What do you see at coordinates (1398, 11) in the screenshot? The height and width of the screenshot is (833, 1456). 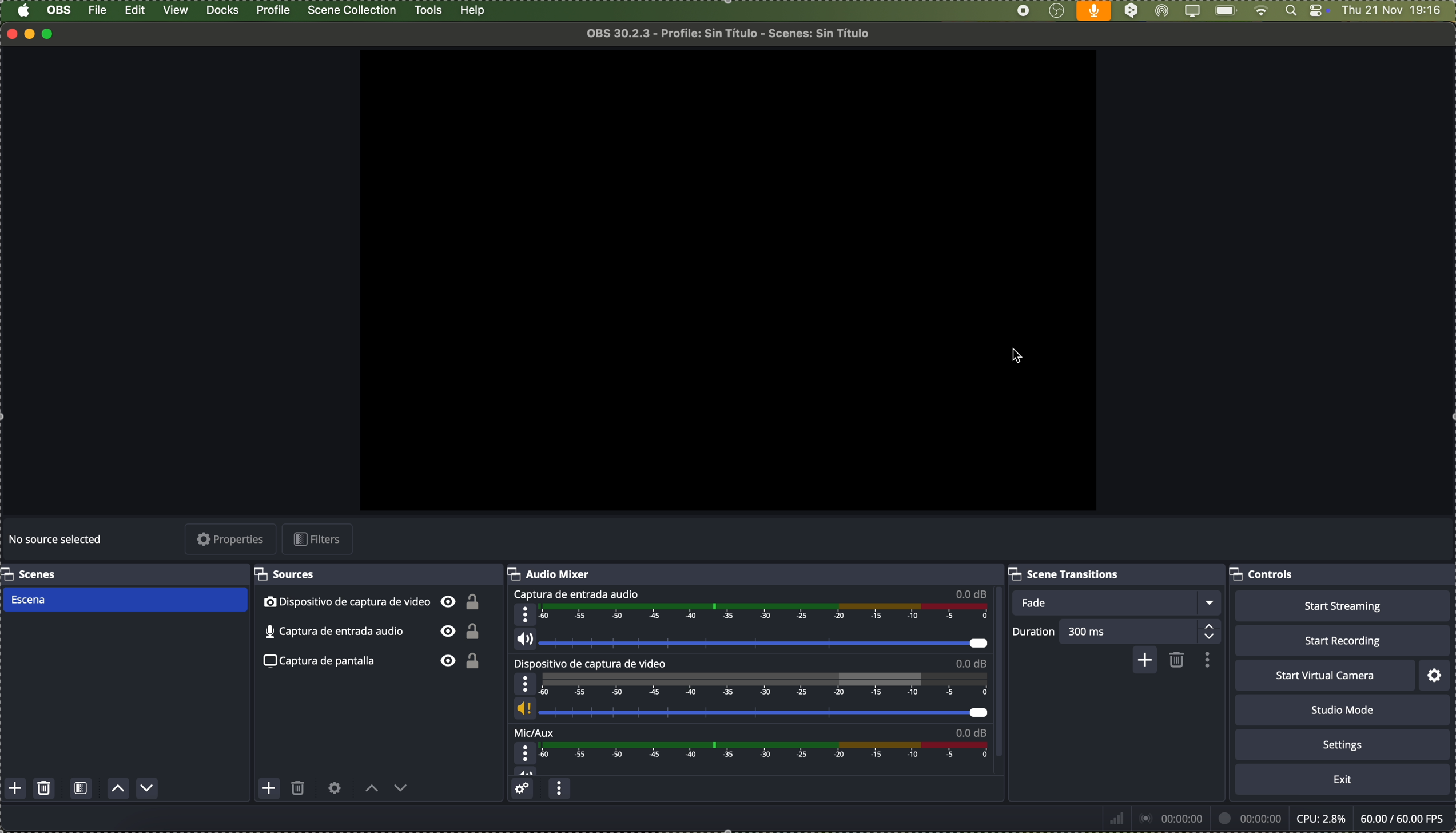 I see `date and hour` at bounding box center [1398, 11].